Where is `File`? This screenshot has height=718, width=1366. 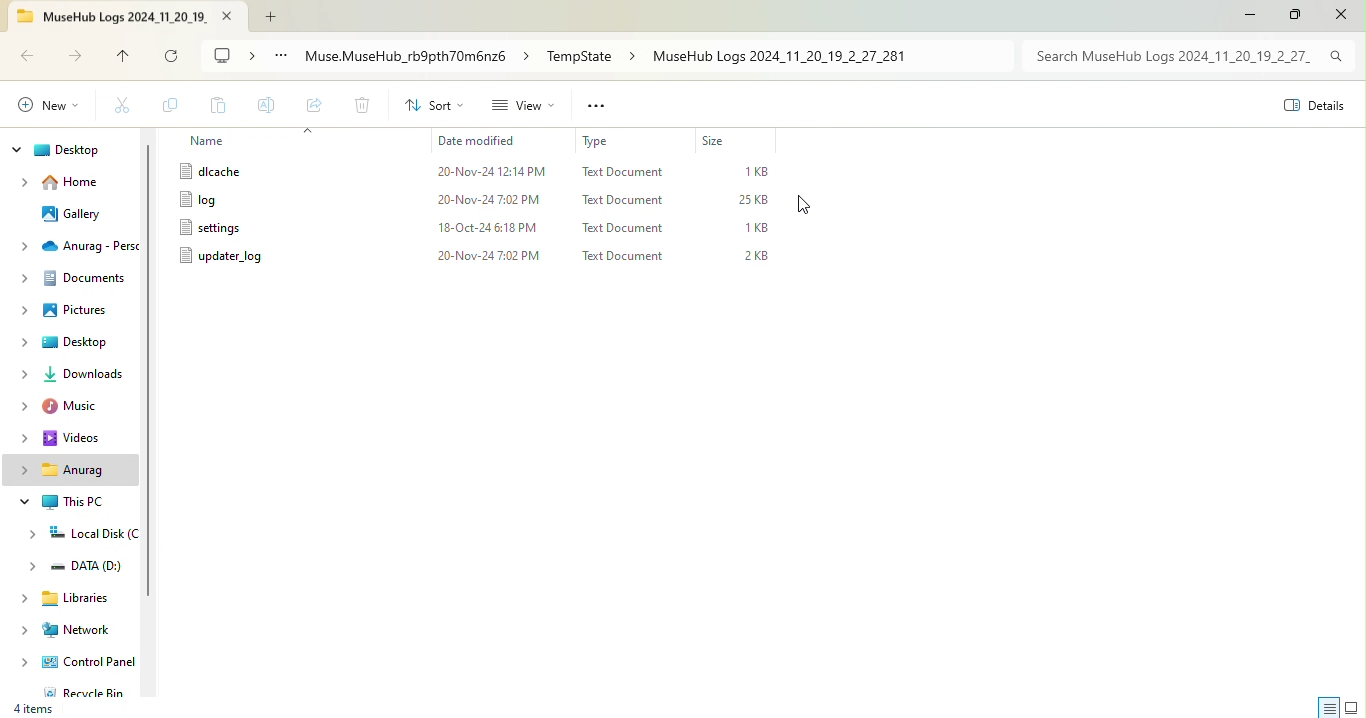
File is located at coordinates (470, 202).